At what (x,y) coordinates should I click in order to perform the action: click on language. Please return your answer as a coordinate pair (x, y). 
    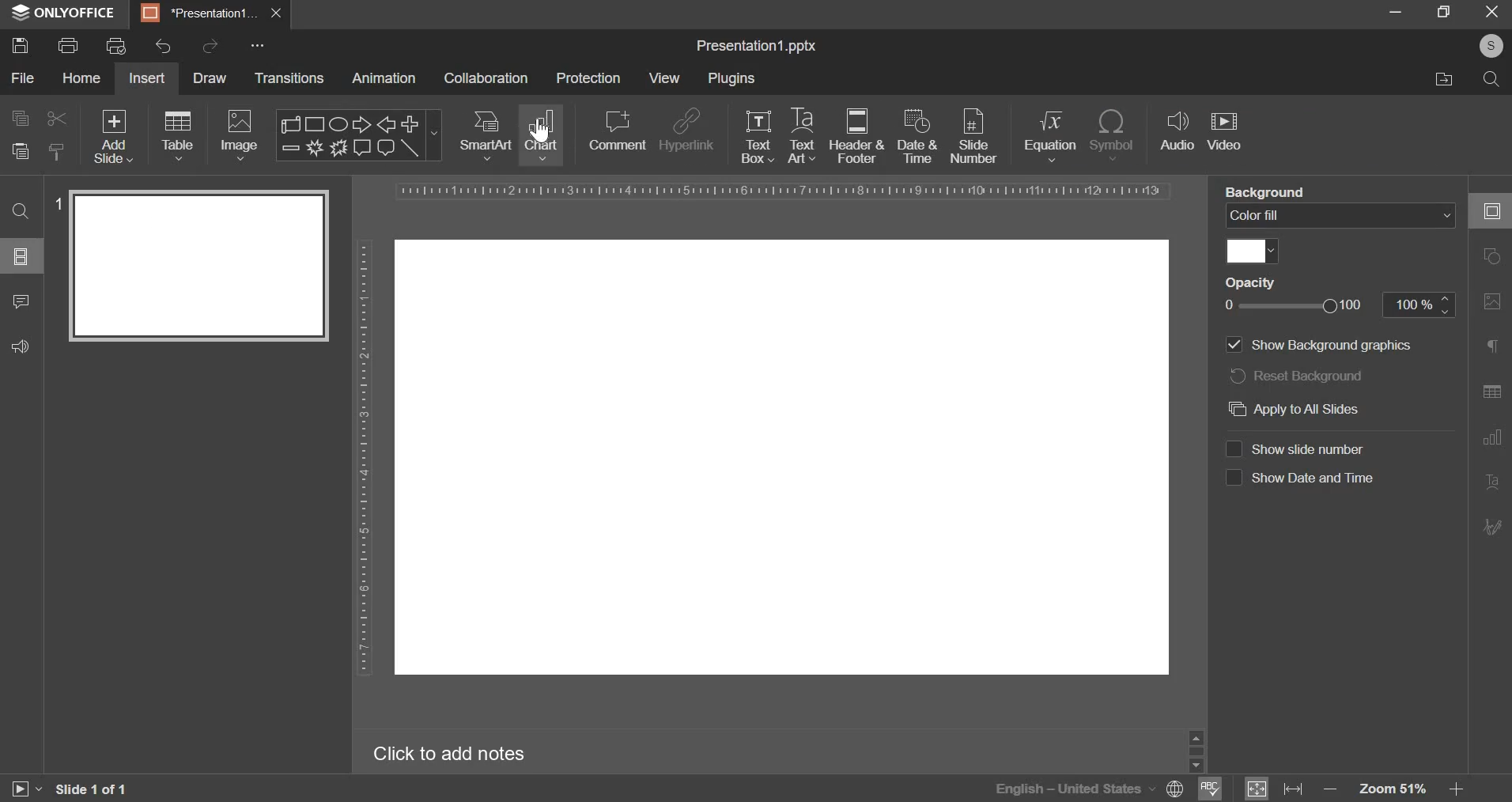
    Looking at the image, I should click on (1170, 789).